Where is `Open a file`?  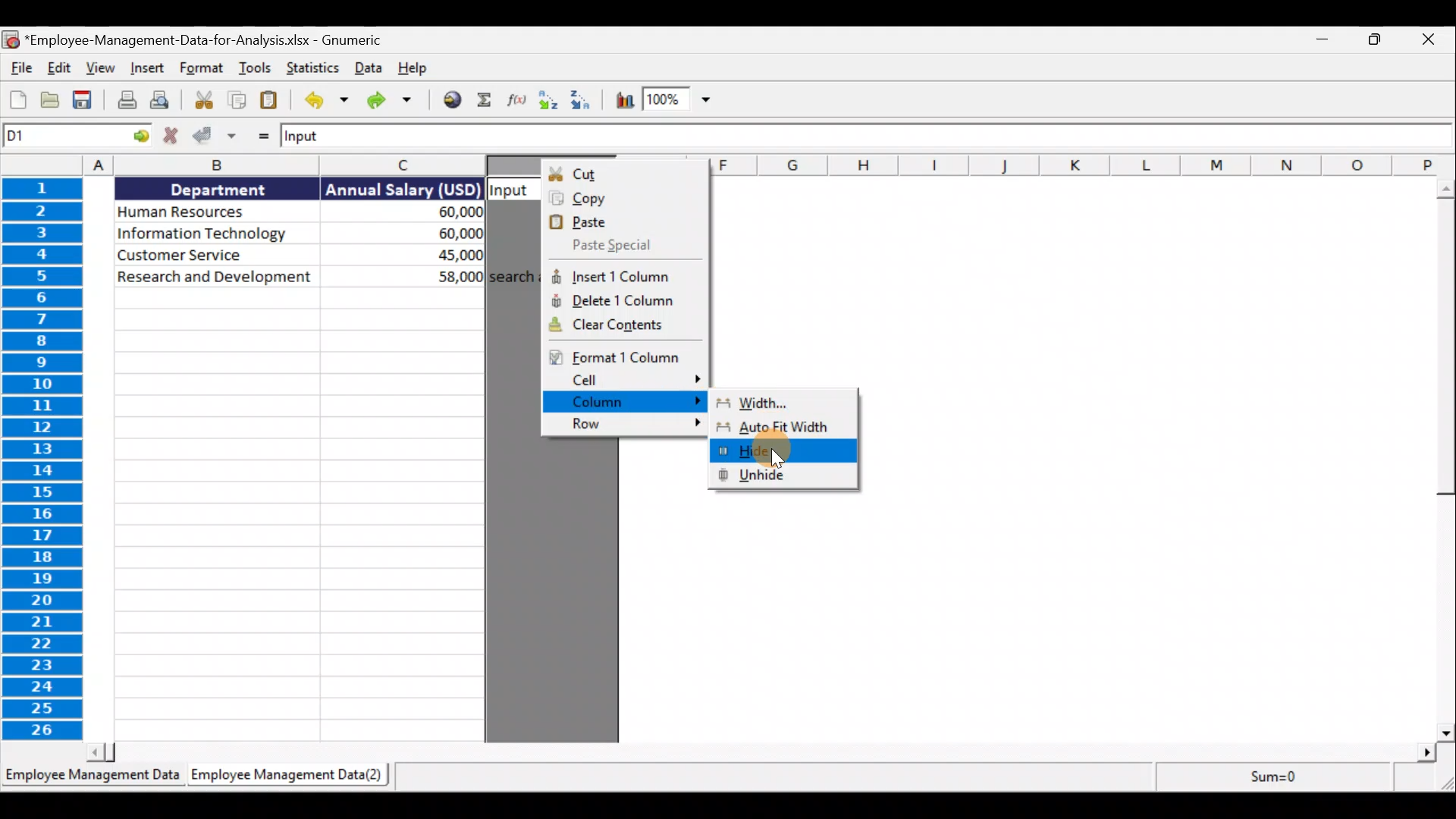 Open a file is located at coordinates (54, 99).